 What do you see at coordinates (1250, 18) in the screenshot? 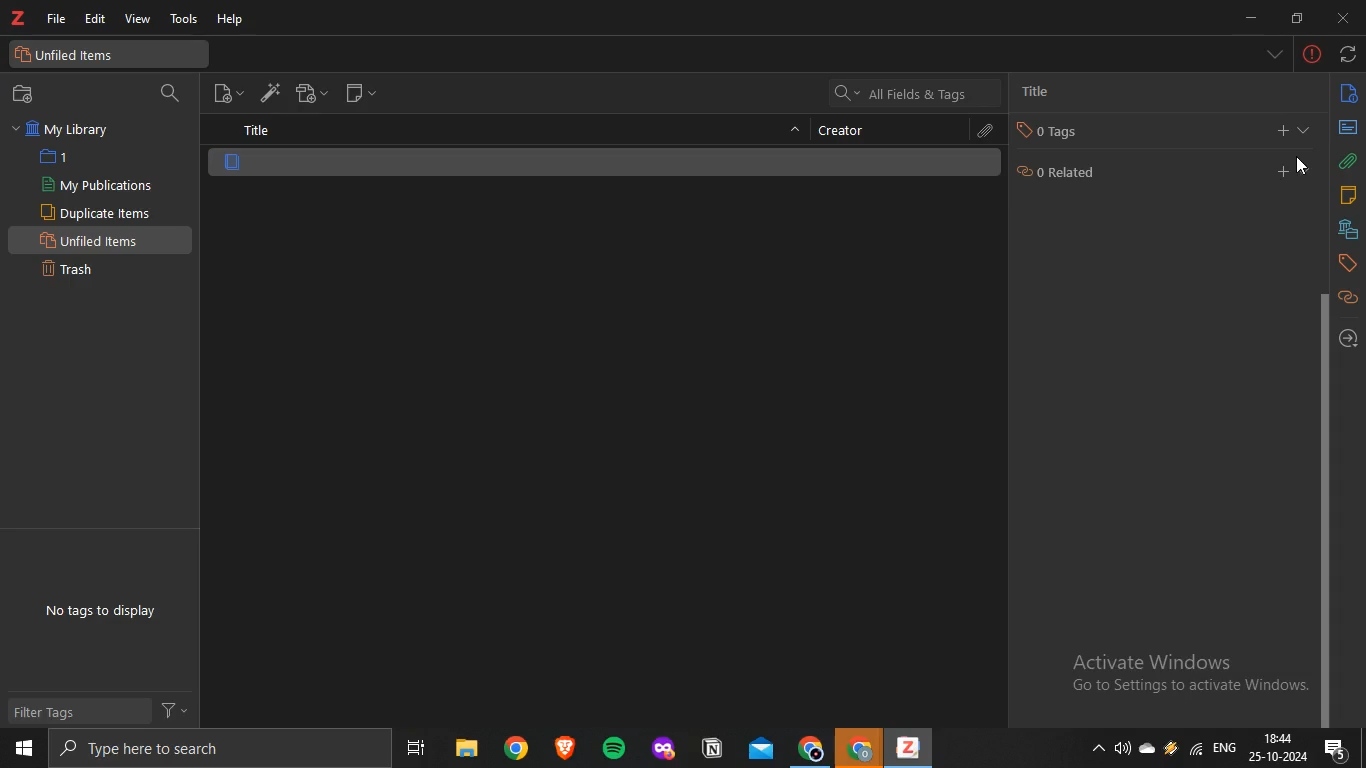
I see `minimize` at bounding box center [1250, 18].